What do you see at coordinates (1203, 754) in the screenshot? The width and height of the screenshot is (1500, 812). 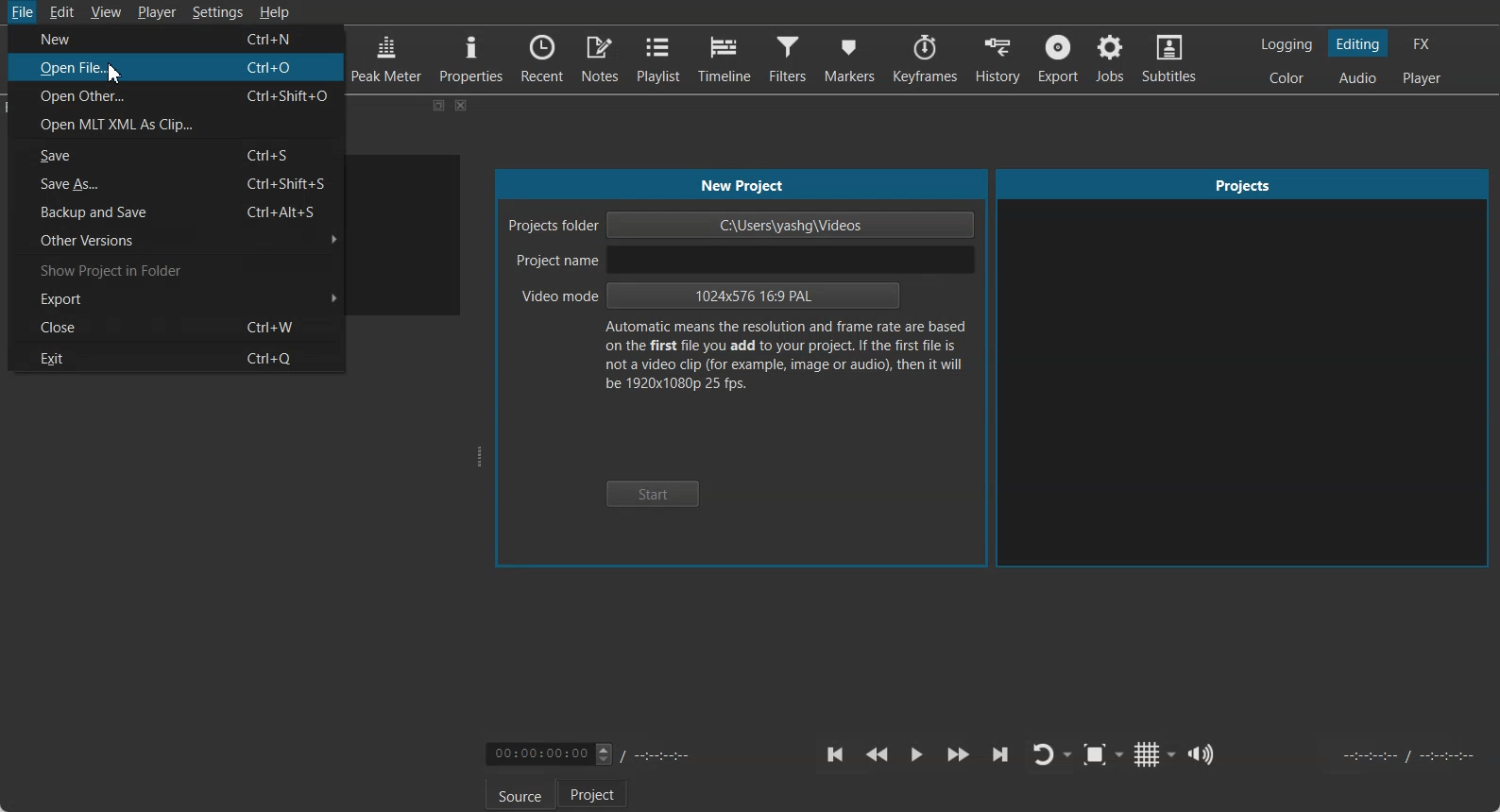 I see `Show the volume control` at bounding box center [1203, 754].